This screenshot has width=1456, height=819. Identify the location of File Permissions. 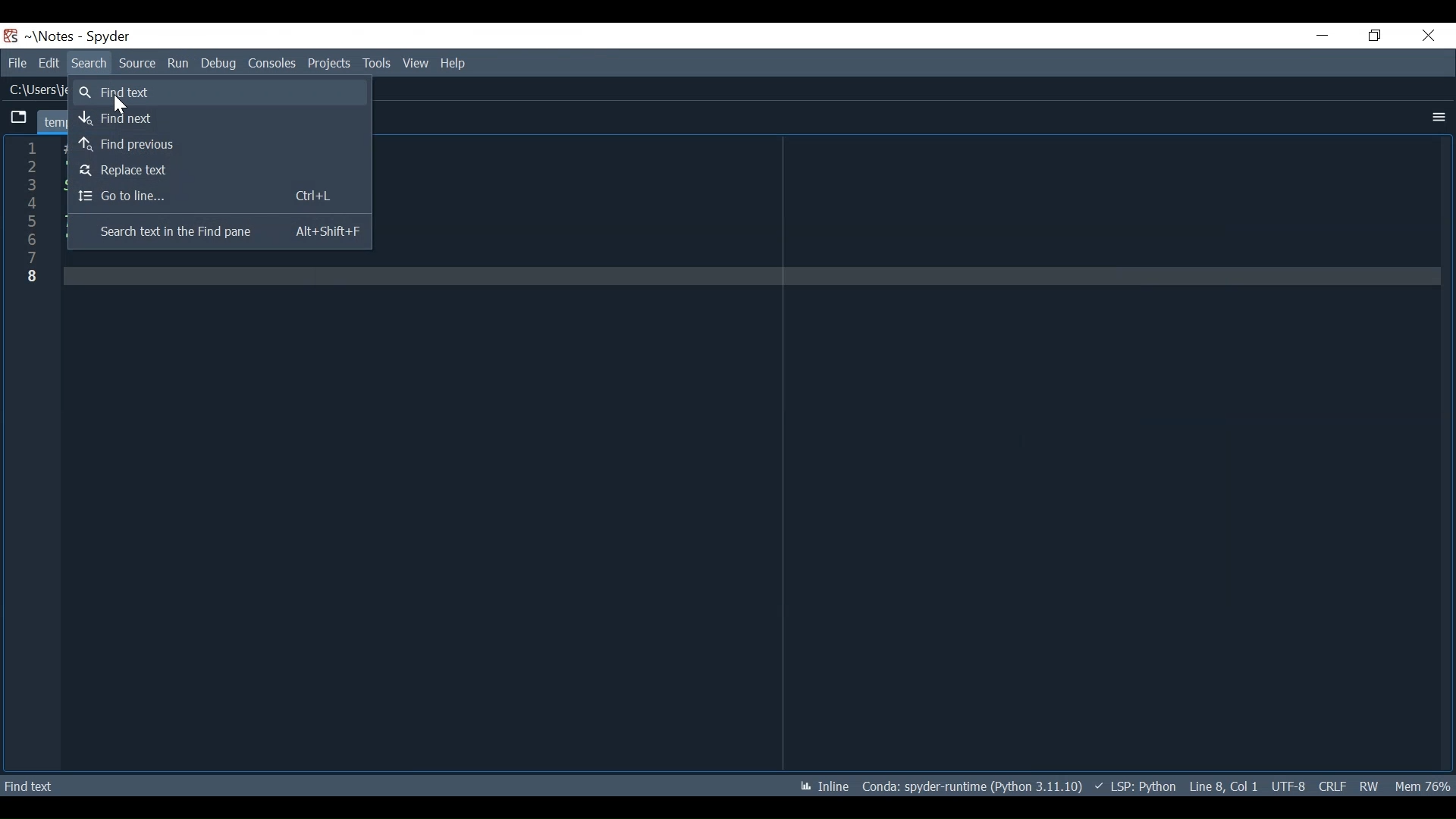
(1374, 784).